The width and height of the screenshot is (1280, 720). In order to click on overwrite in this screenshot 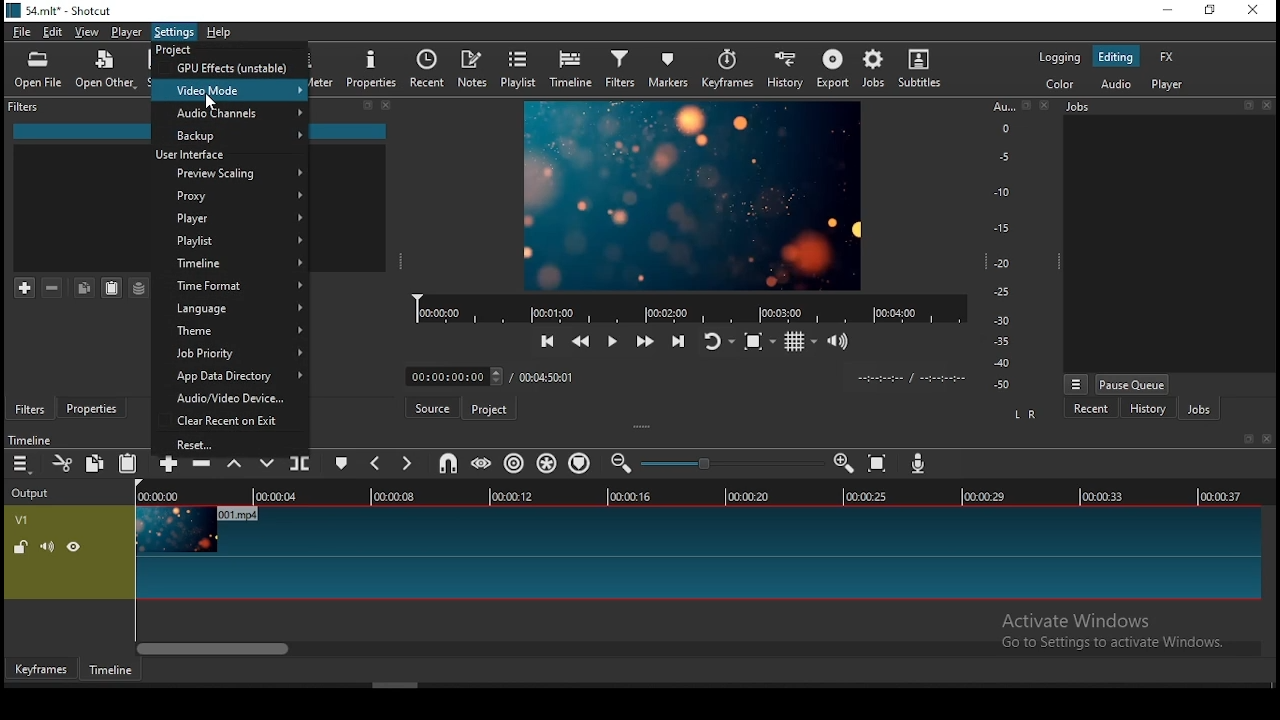, I will do `click(268, 466)`.